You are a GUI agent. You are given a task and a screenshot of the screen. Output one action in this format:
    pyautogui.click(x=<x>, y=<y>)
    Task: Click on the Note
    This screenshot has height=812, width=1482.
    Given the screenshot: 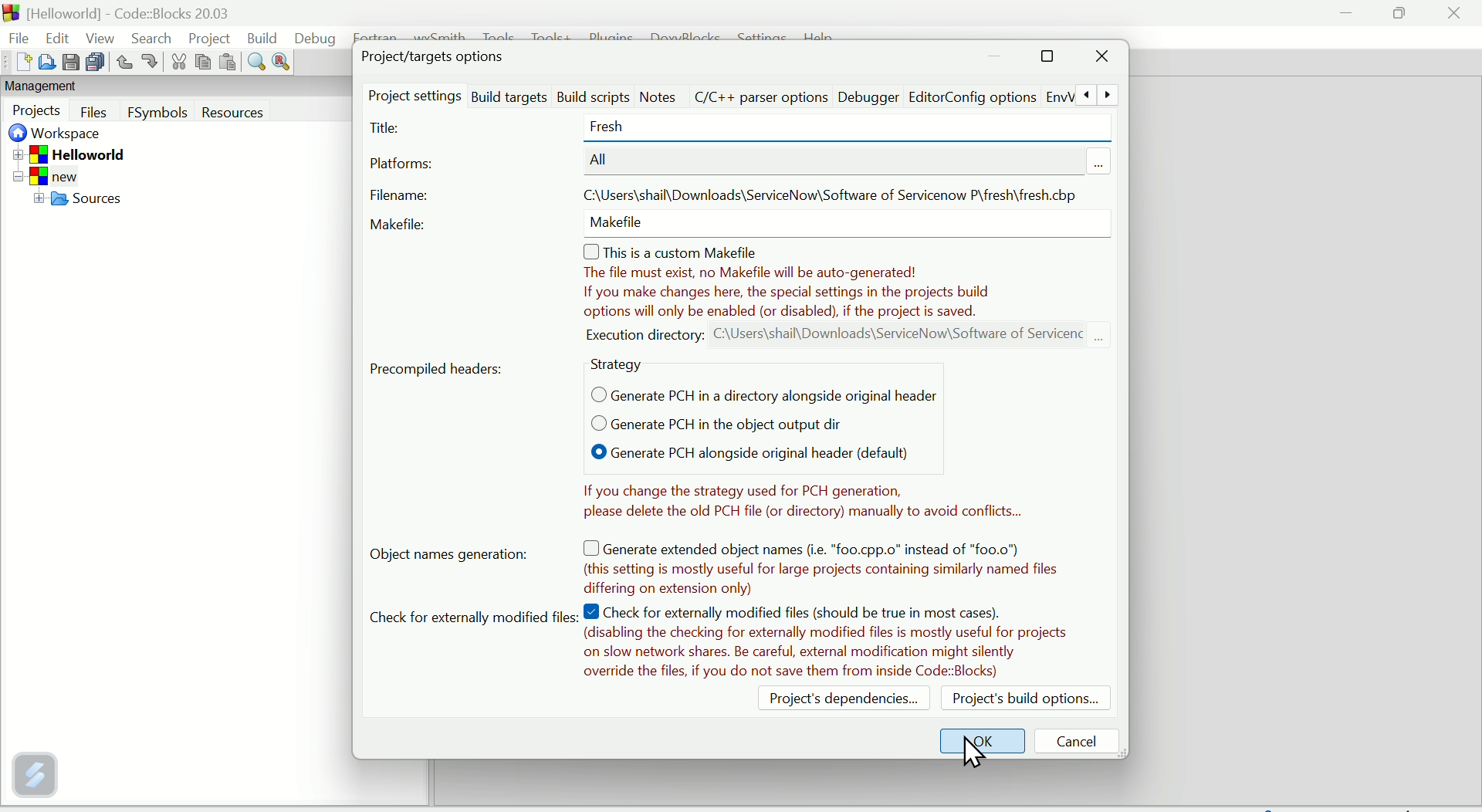 What is the action you would take?
    pyautogui.click(x=825, y=563)
    